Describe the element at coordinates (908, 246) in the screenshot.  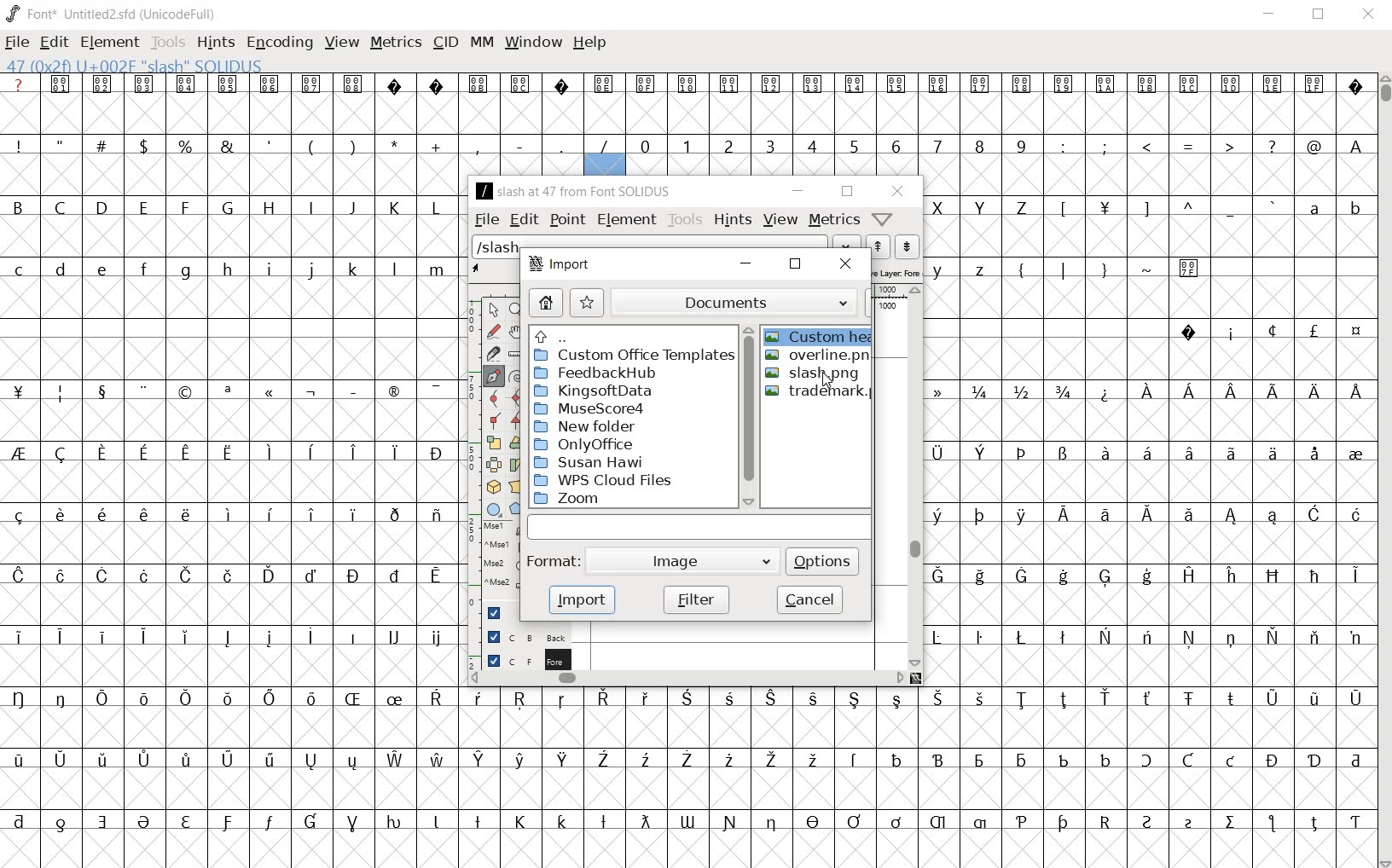
I see `show the previous word on the list` at that location.